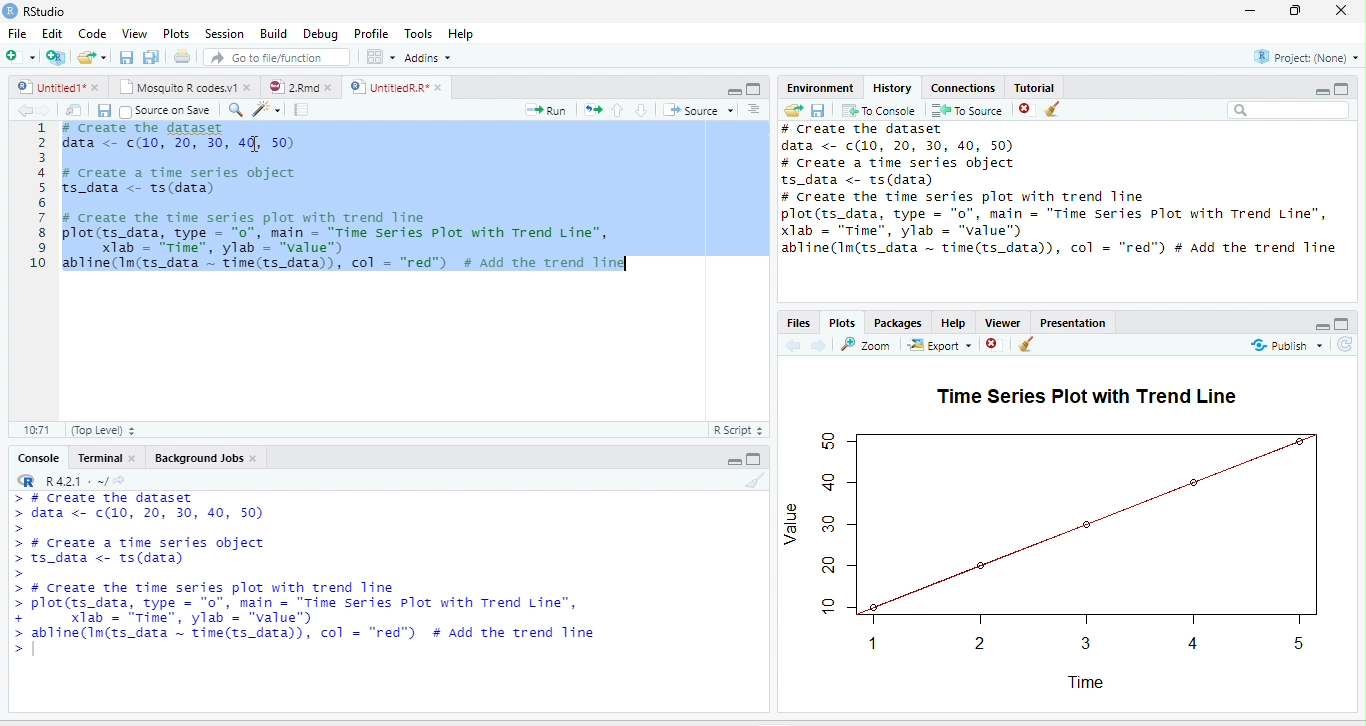 The width and height of the screenshot is (1366, 726). I want to click on close, so click(1341, 11).